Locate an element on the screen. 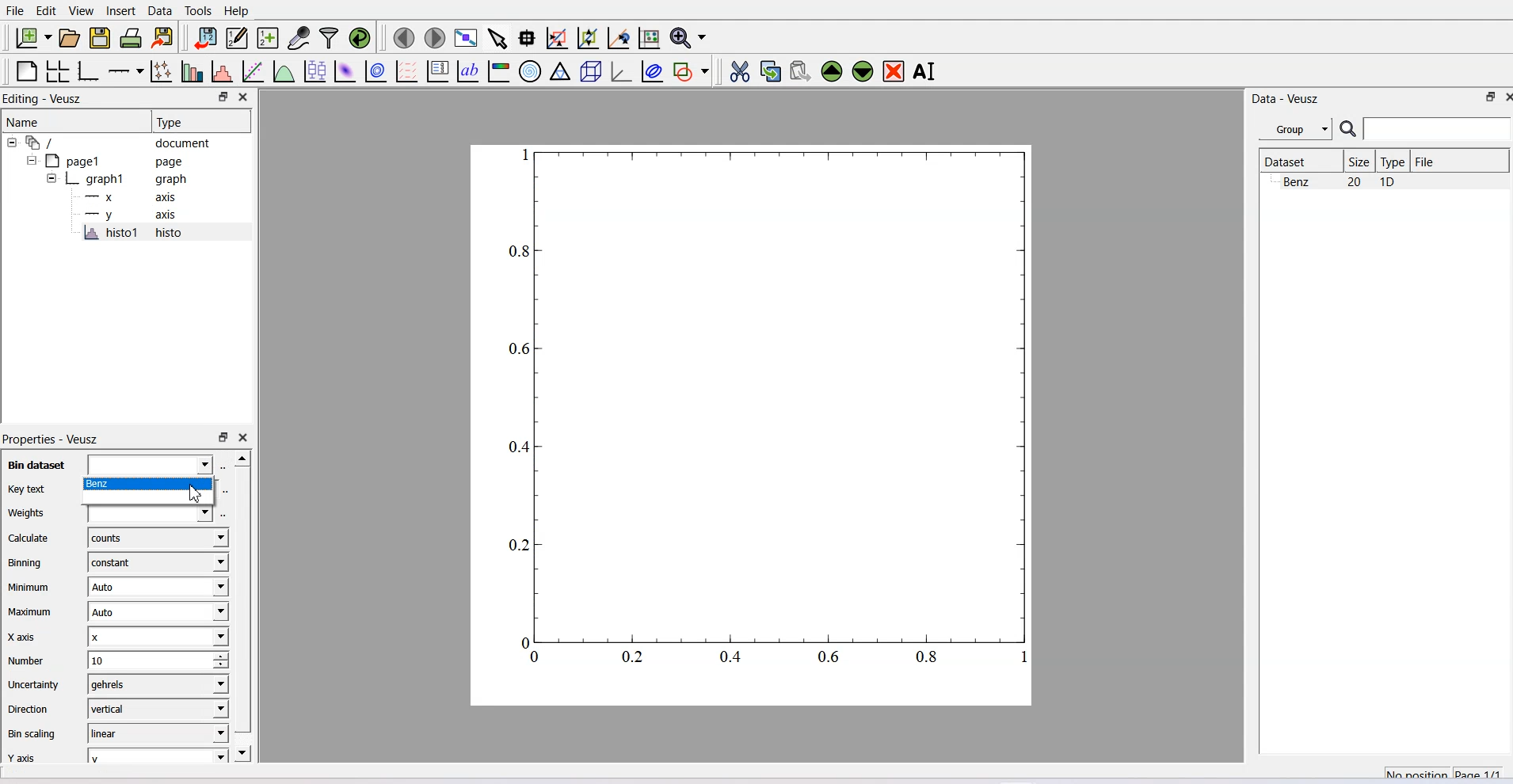 The image size is (1513, 784). 3D Scene is located at coordinates (591, 71).